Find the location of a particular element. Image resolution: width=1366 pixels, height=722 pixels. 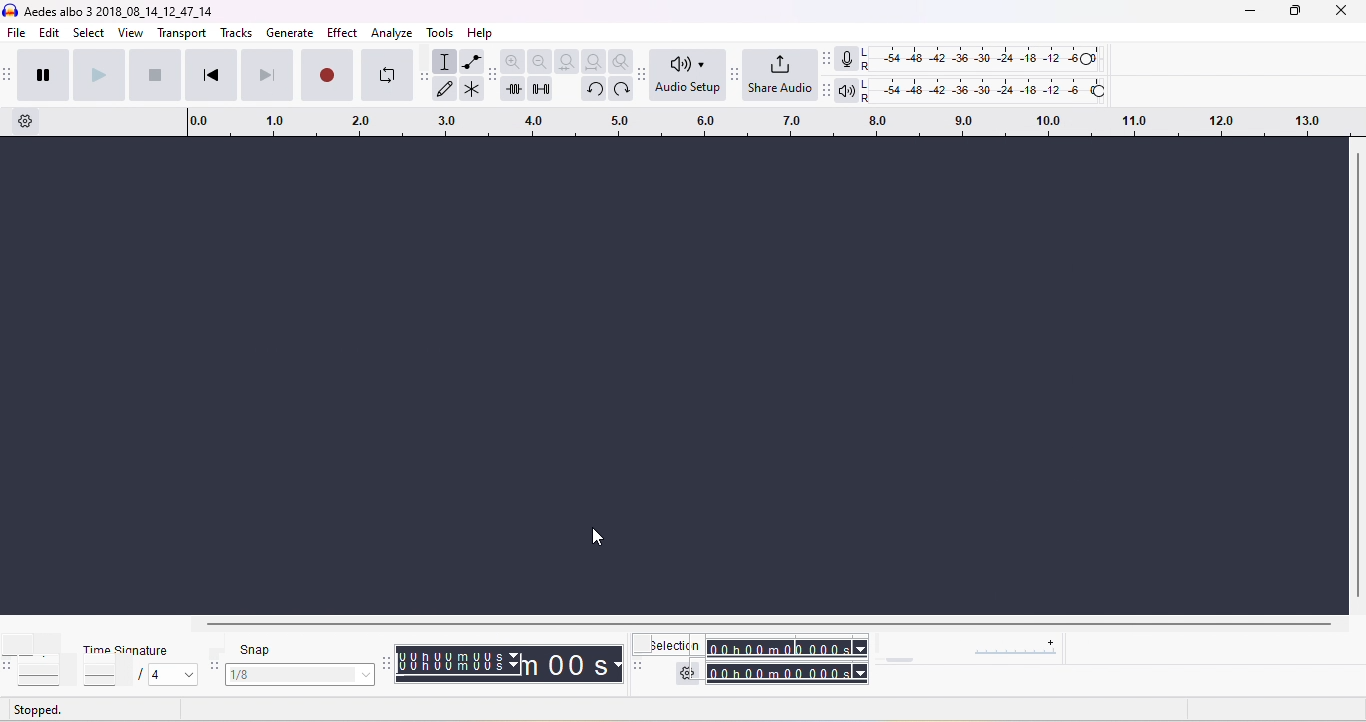

tracks is located at coordinates (236, 33).